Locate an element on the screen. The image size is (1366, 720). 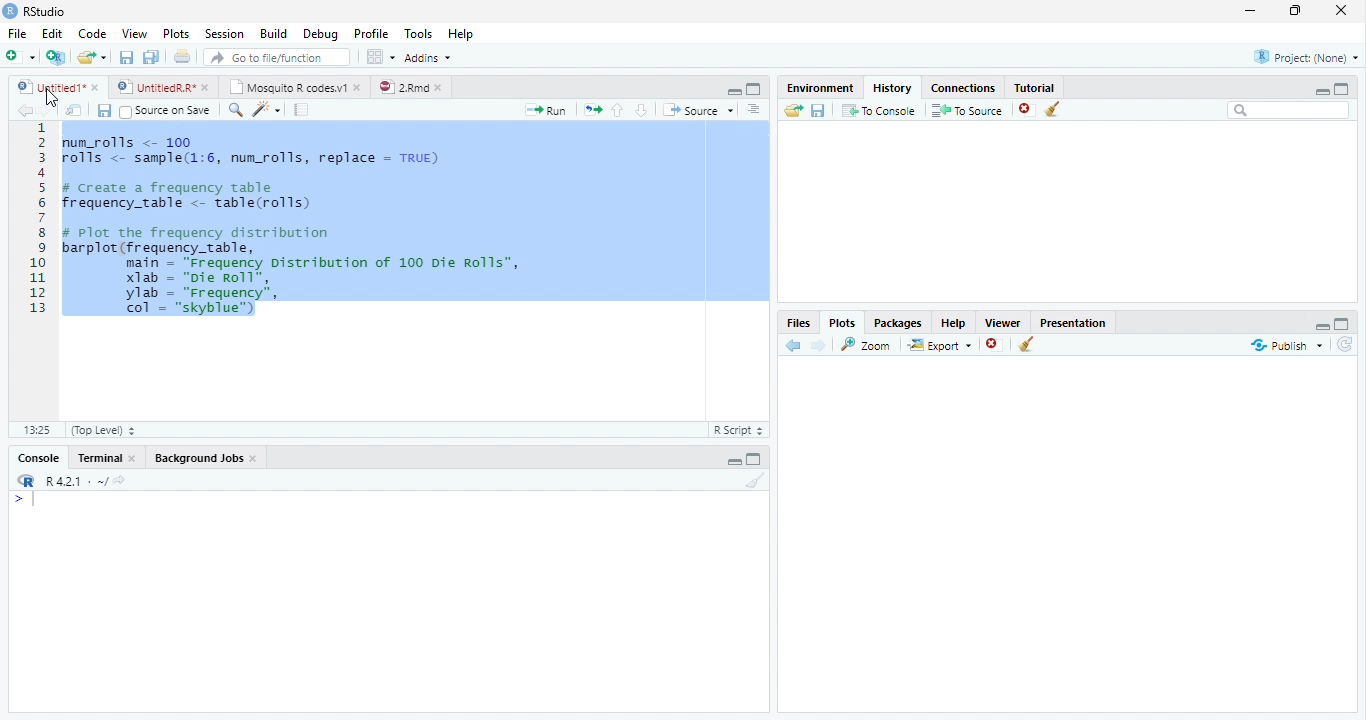
Load History from existing file is located at coordinates (793, 110).